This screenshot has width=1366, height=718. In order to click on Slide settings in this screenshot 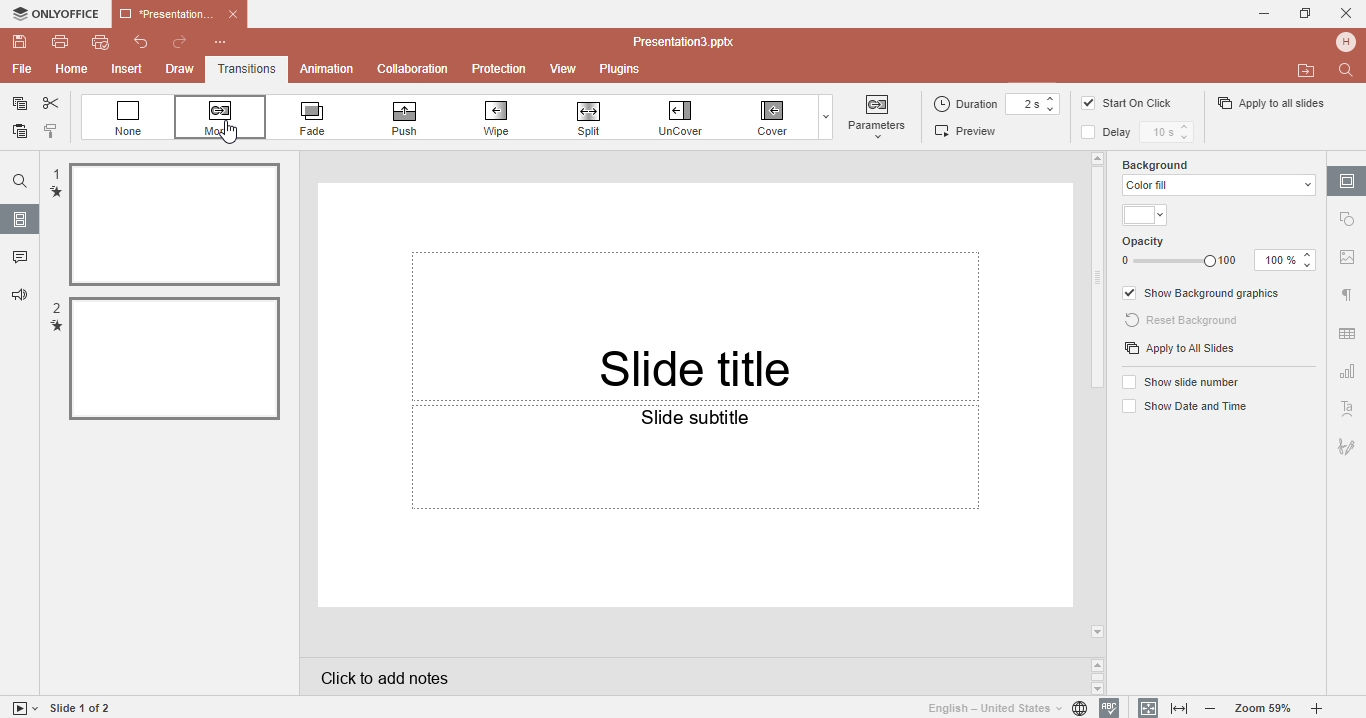, I will do `click(1347, 180)`.